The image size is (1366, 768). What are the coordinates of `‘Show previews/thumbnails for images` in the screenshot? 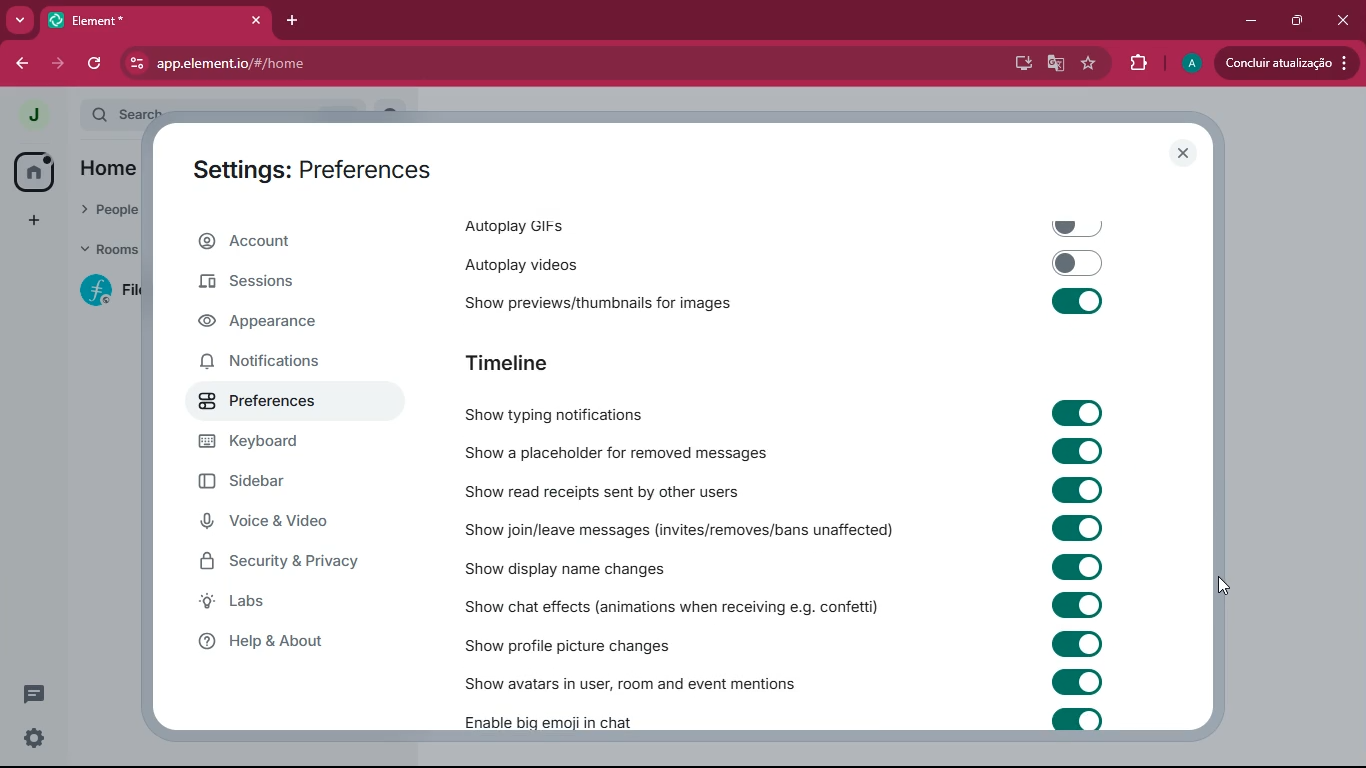 It's located at (785, 300).